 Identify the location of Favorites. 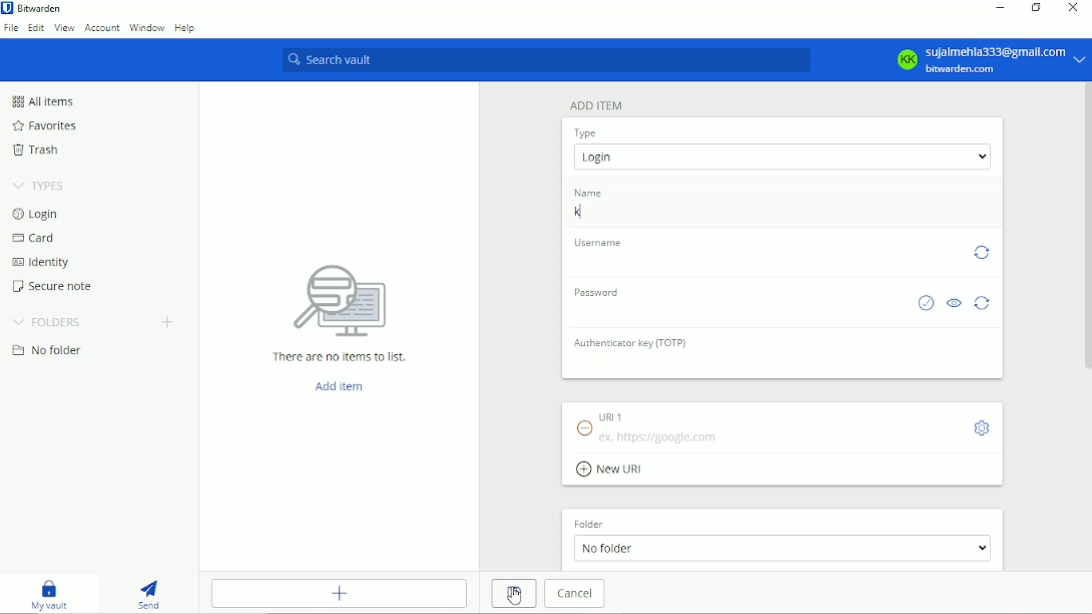
(44, 125).